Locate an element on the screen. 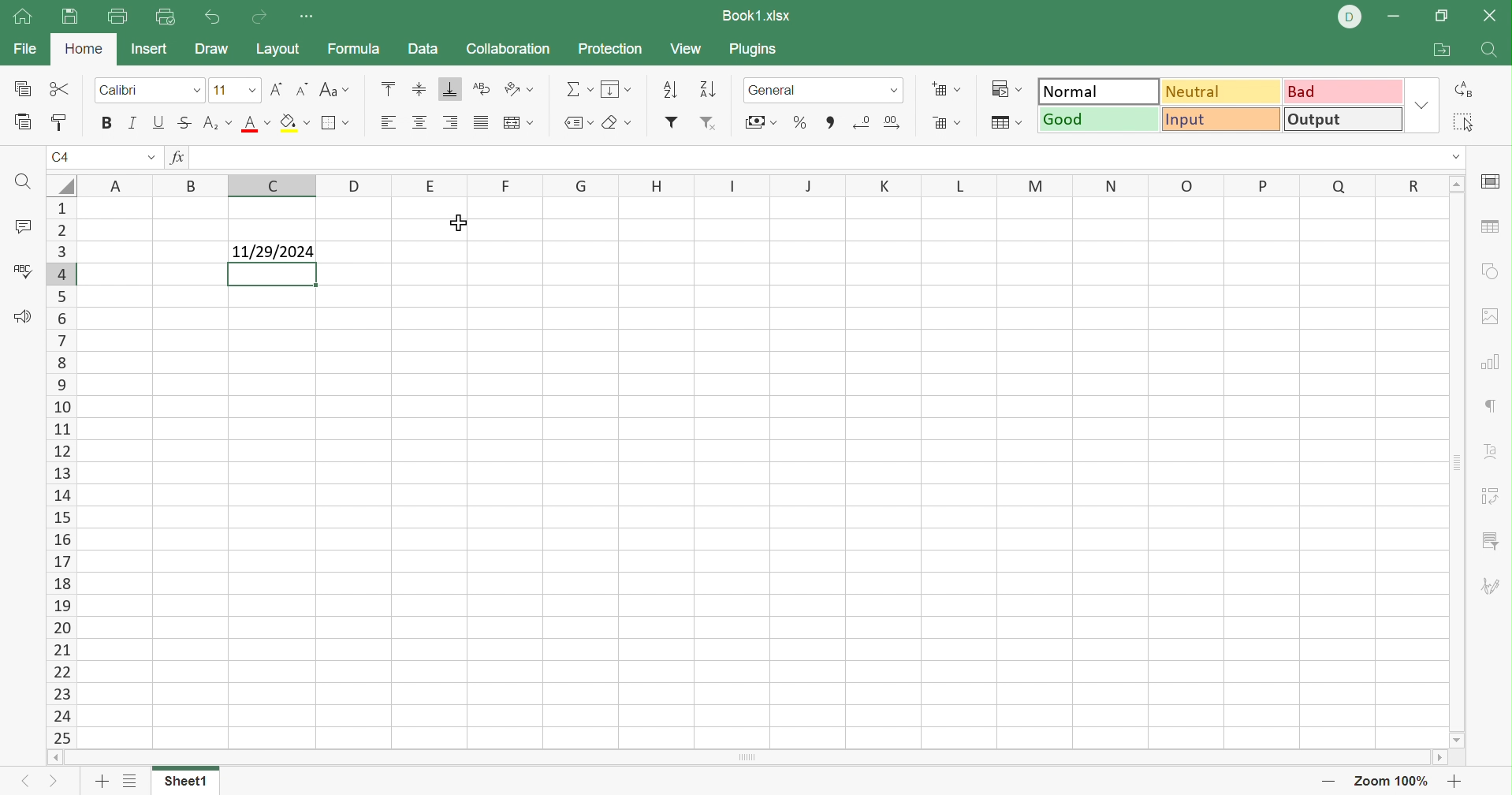  Good is located at coordinates (1097, 118).